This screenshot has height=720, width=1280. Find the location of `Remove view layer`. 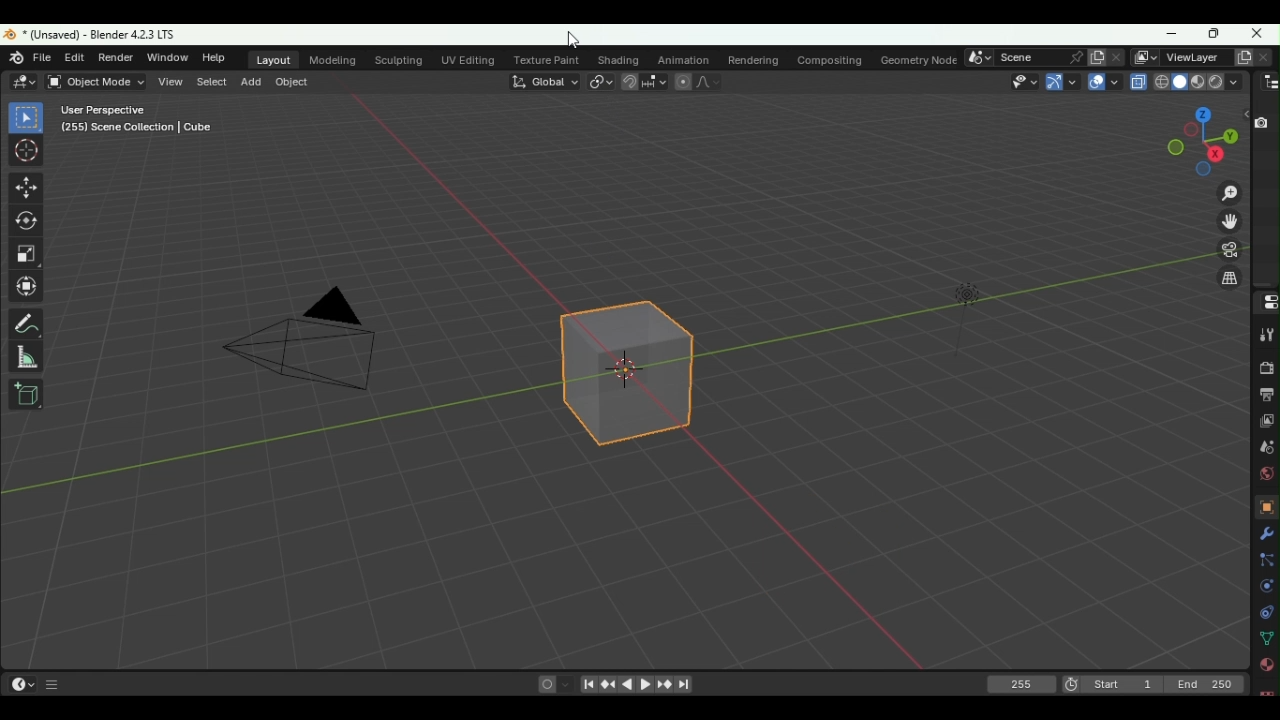

Remove view layer is located at coordinates (1262, 58).